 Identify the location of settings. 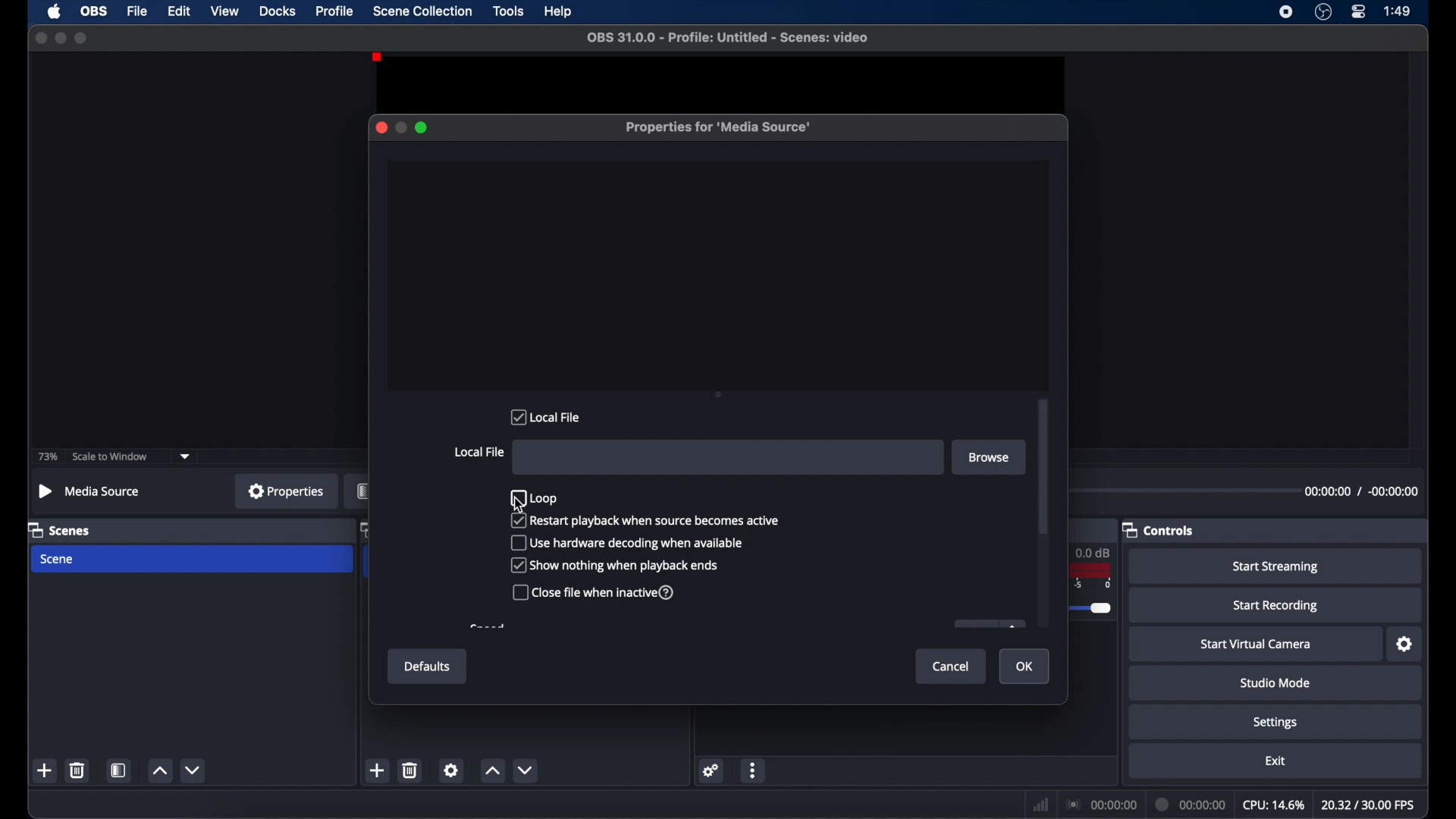
(1405, 644).